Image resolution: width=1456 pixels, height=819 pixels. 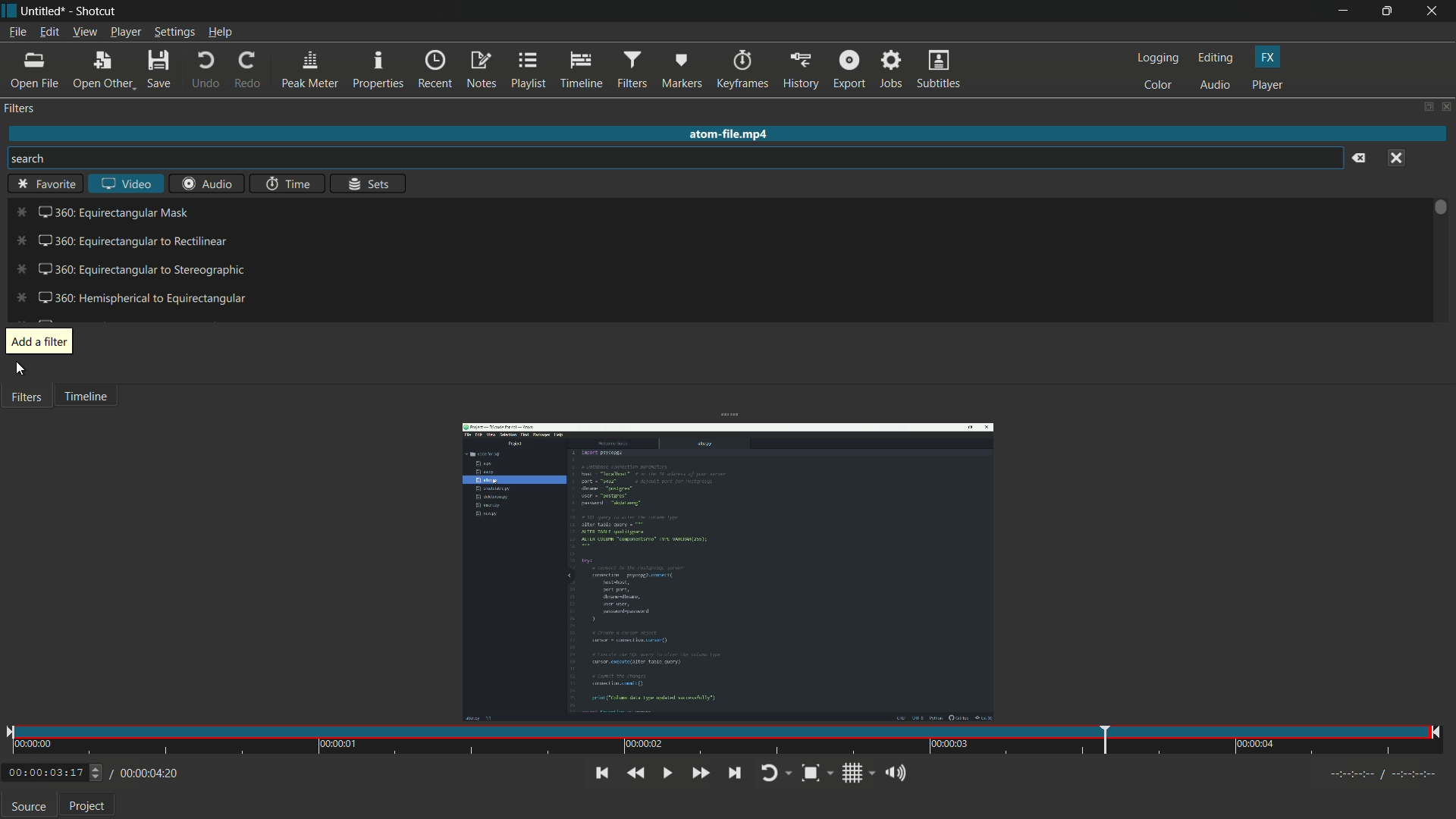 What do you see at coordinates (1161, 86) in the screenshot?
I see `color` at bounding box center [1161, 86].